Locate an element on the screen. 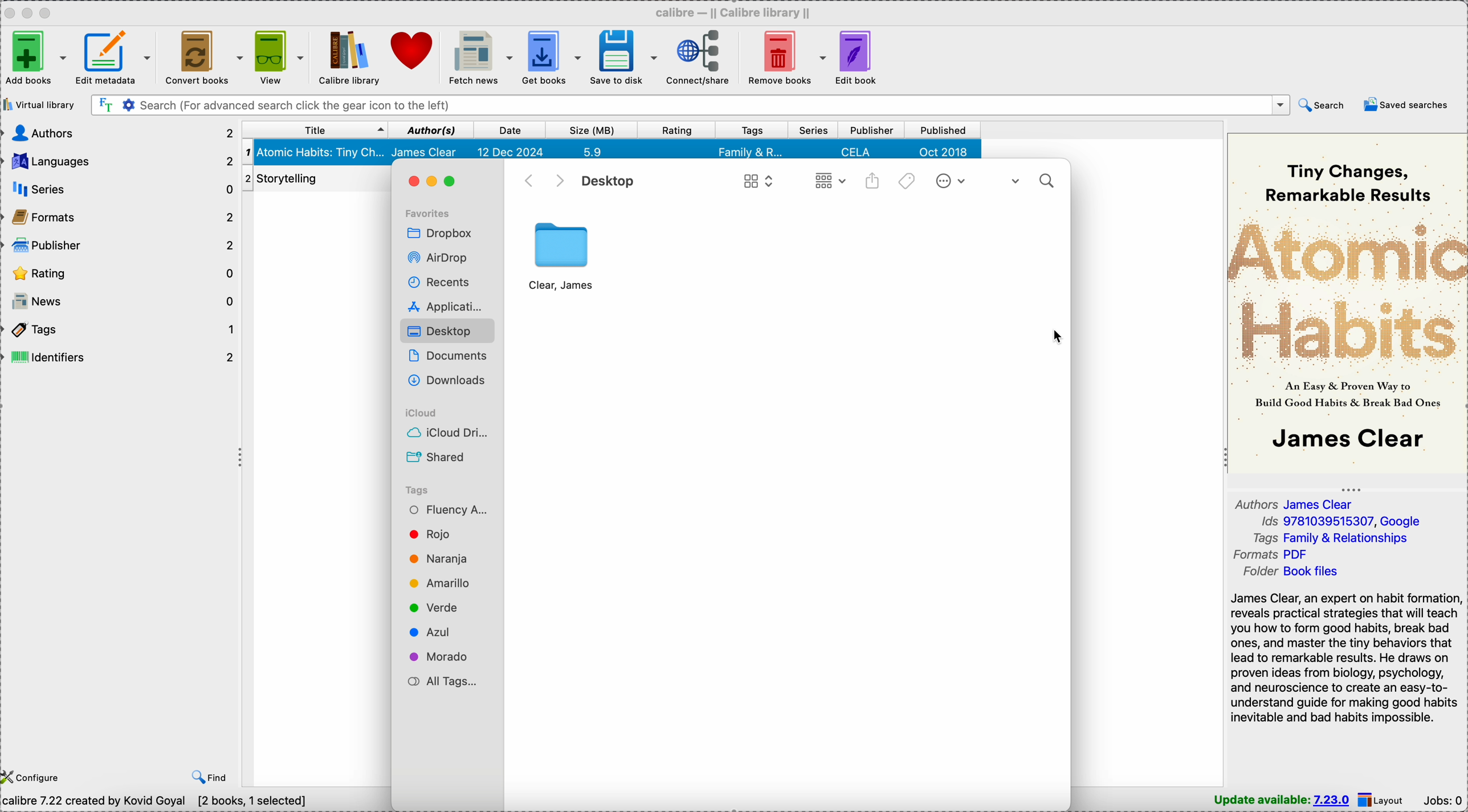 The image size is (1468, 812). Calibre - || Calibre library || is located at coordinates (737, 12).